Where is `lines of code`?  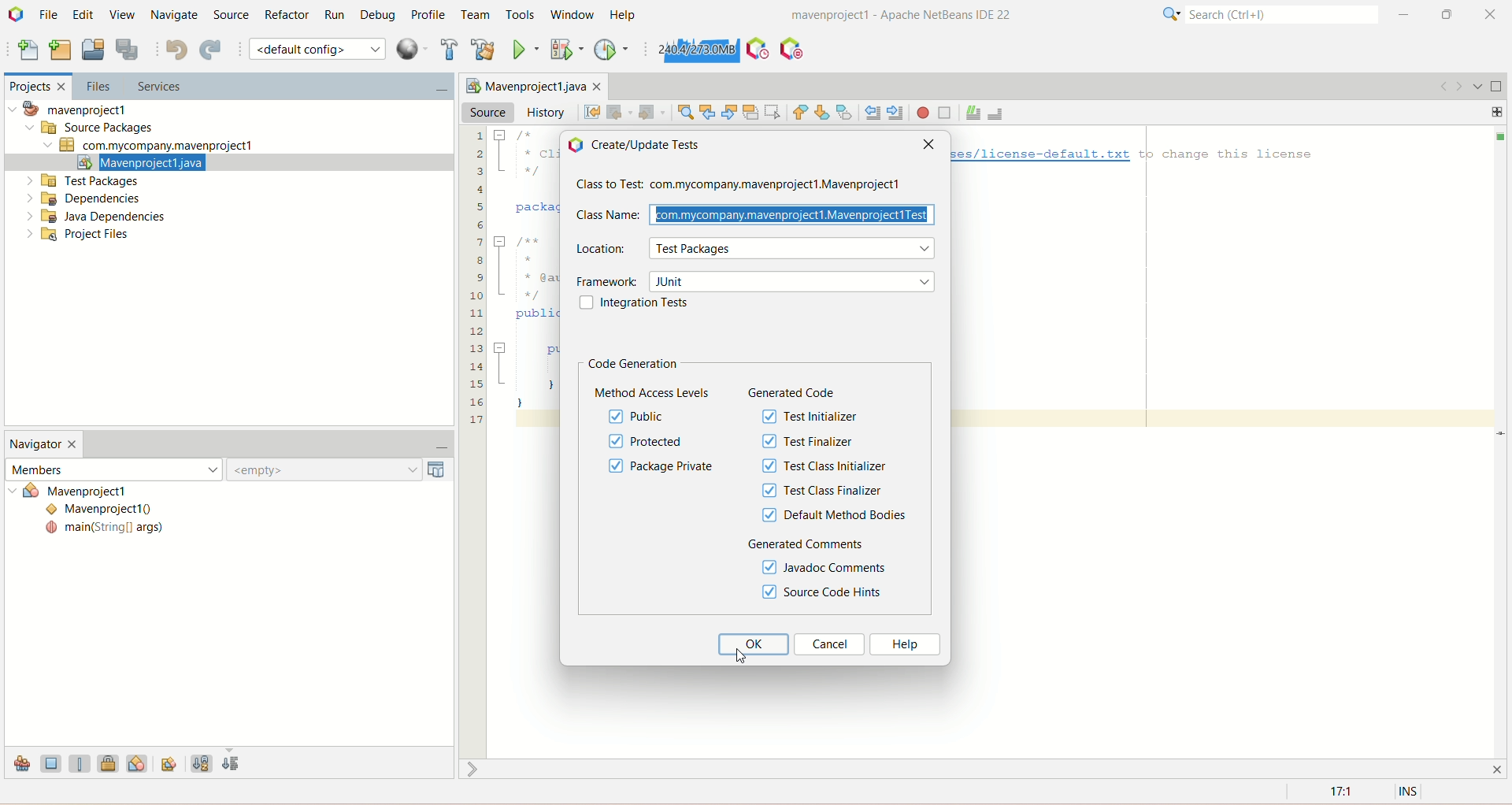 lines of code is located at coordinates (476, 276).